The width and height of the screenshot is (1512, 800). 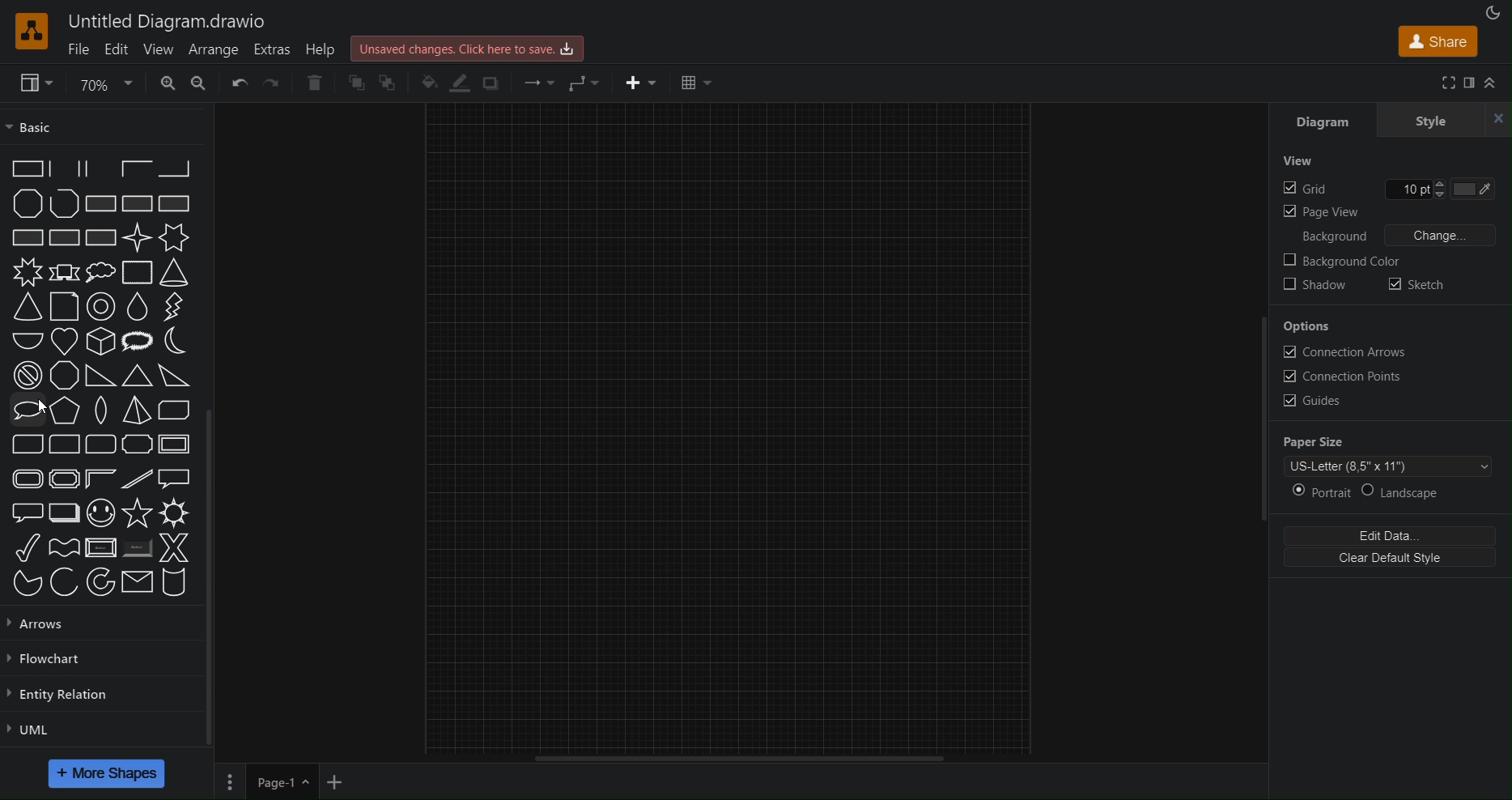 I want to click on Entity Relation, so click(x=55, y=696).